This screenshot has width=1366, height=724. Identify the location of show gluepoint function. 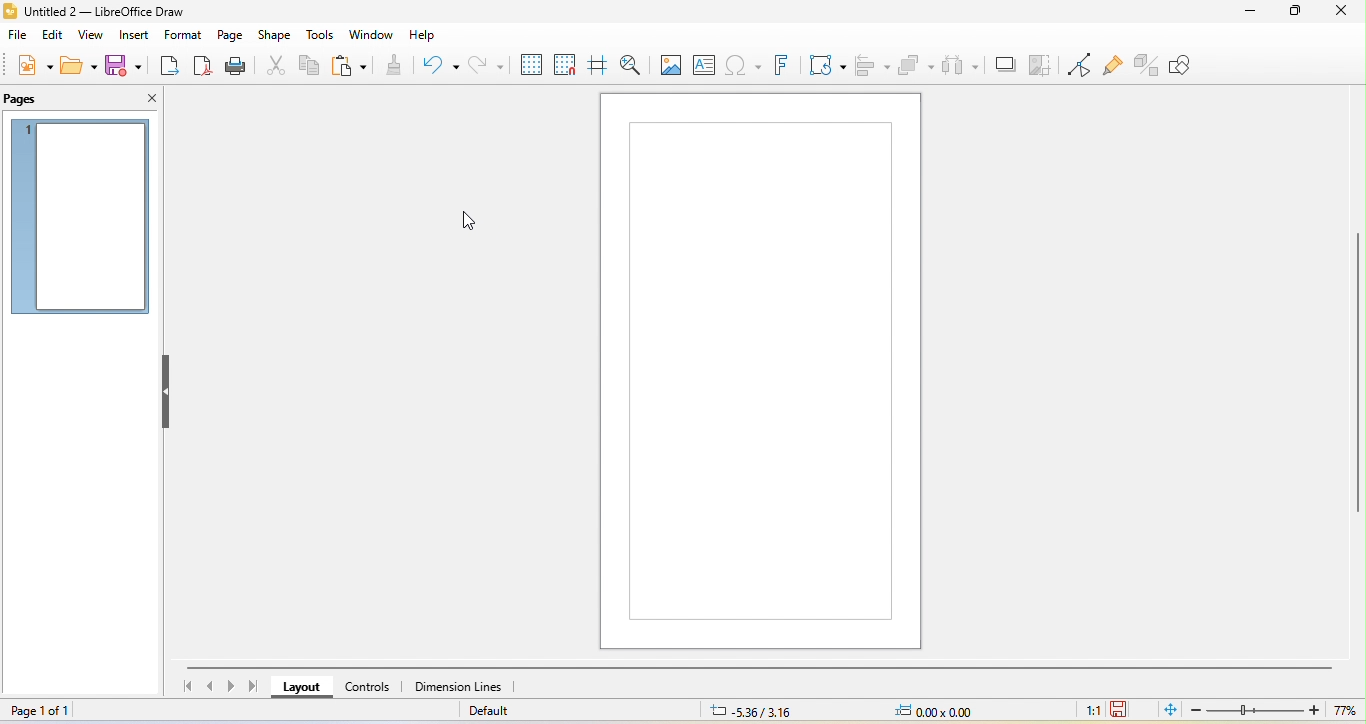
(1110, 66).